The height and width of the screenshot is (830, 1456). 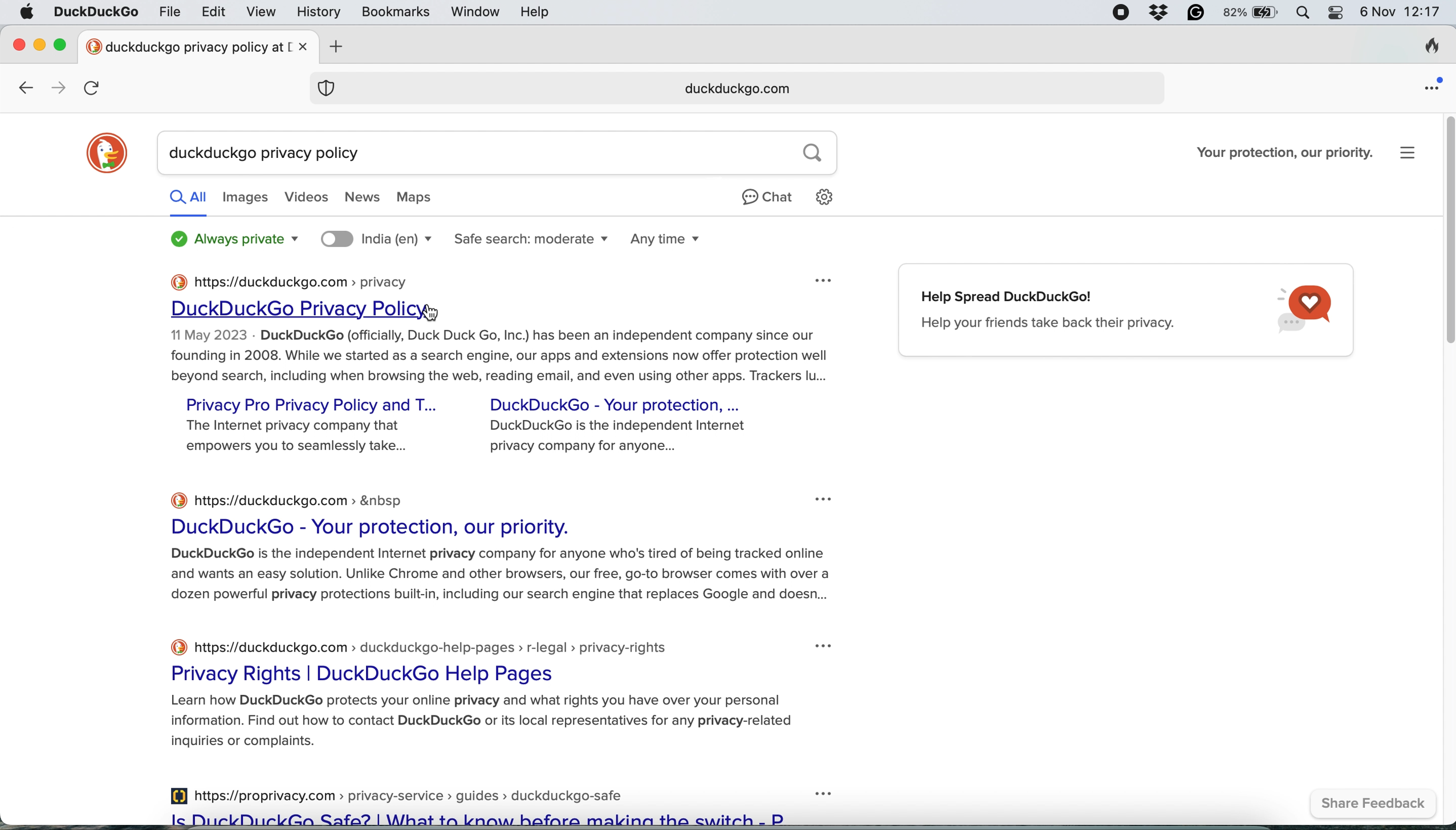 What do you see at coordinates (303, 198) in the screenshot?
I see `videos` at bounding box center [303, 198].